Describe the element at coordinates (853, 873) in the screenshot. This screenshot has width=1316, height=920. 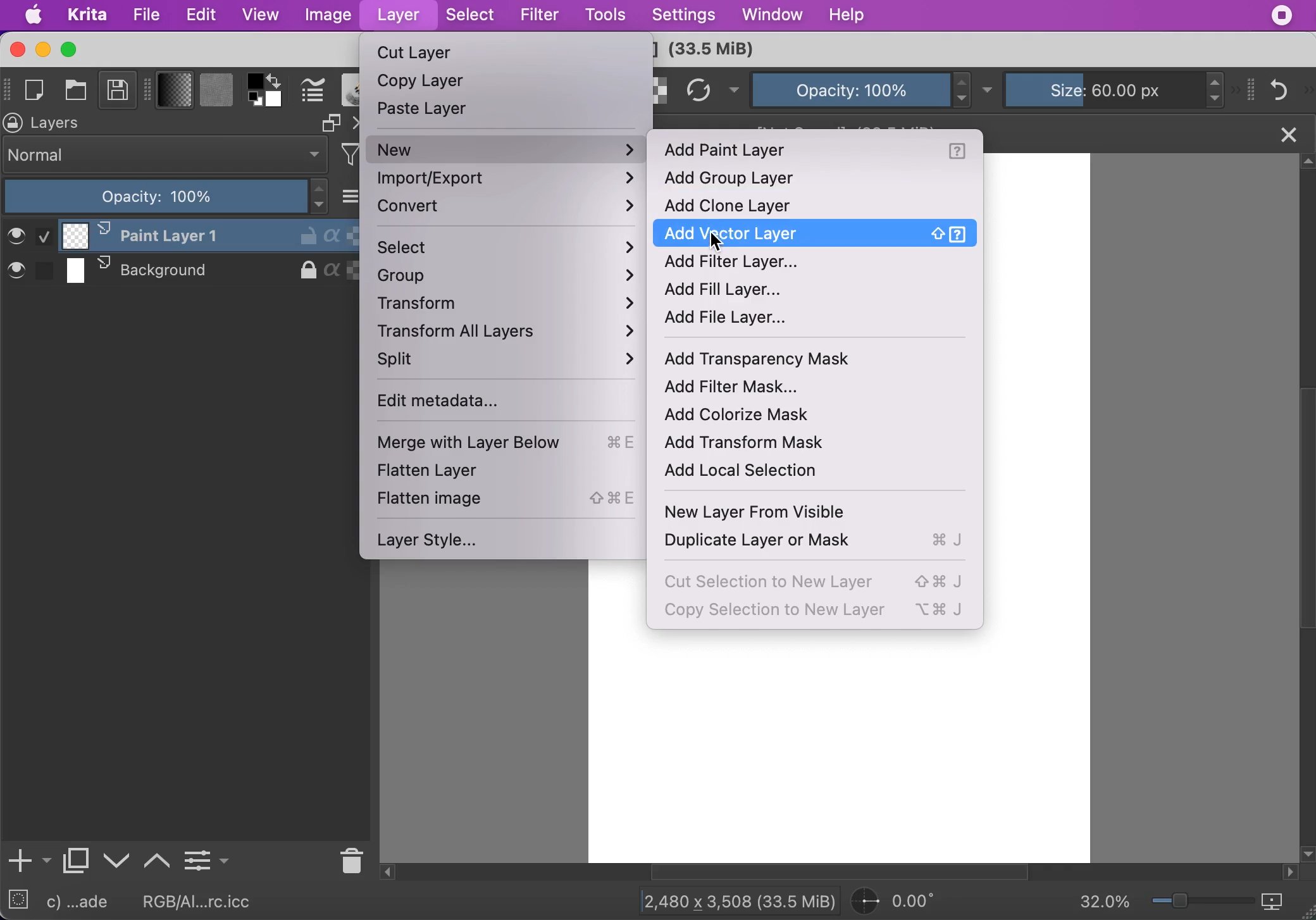
I see `horizontal slider` at that location.